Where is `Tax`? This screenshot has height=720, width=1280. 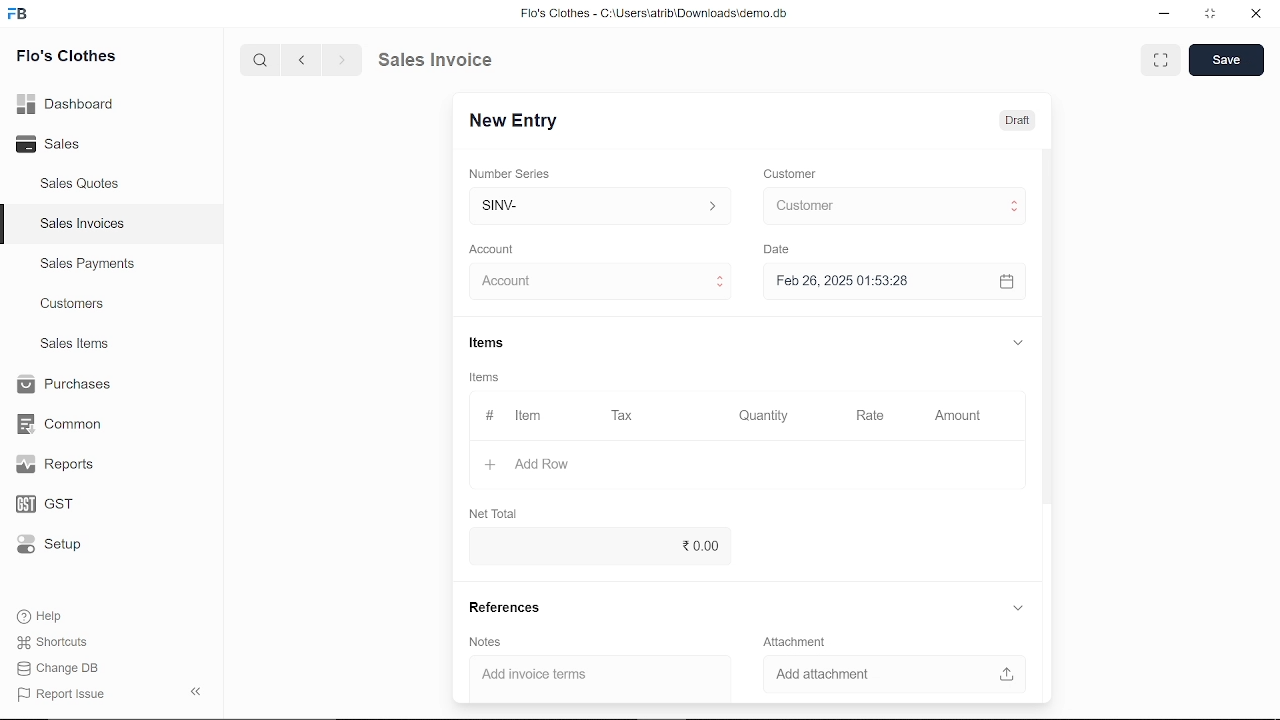 Tax is located at coordinates (626, 416).